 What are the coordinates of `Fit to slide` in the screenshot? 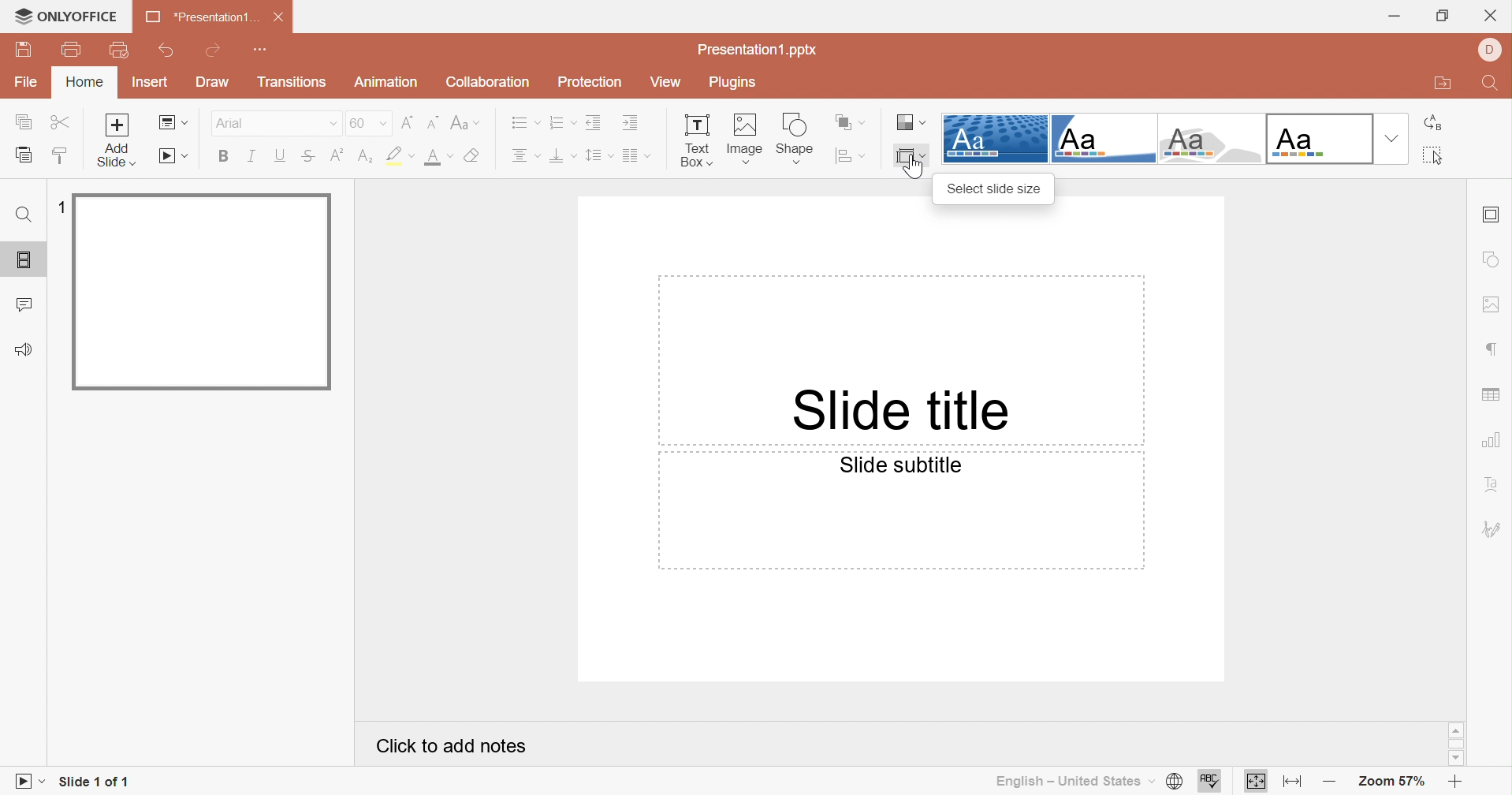 It's located at (1256, 782).